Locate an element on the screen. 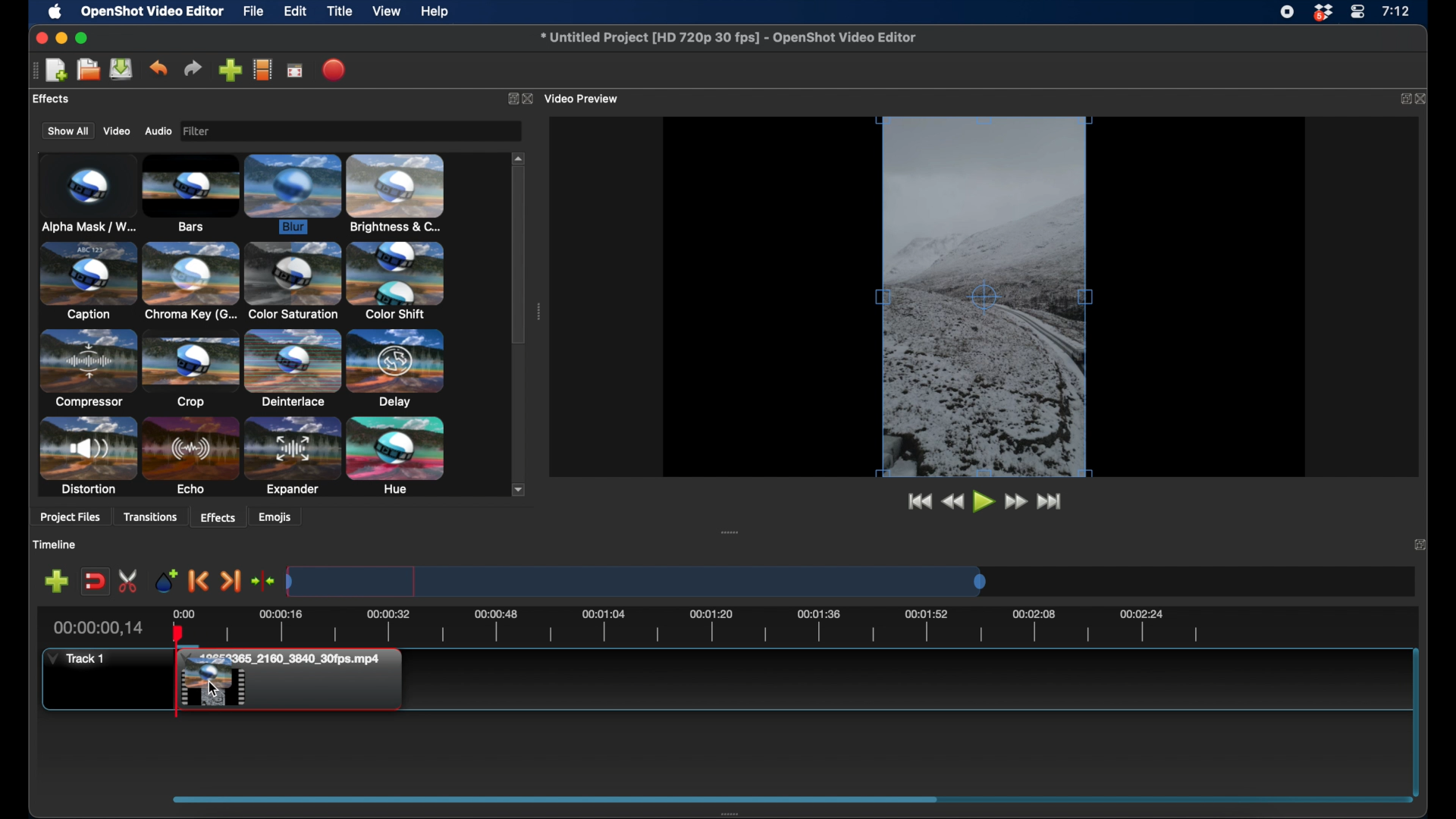 The image size is (1456, 819). track 1 is located at coordinates (77, 659).